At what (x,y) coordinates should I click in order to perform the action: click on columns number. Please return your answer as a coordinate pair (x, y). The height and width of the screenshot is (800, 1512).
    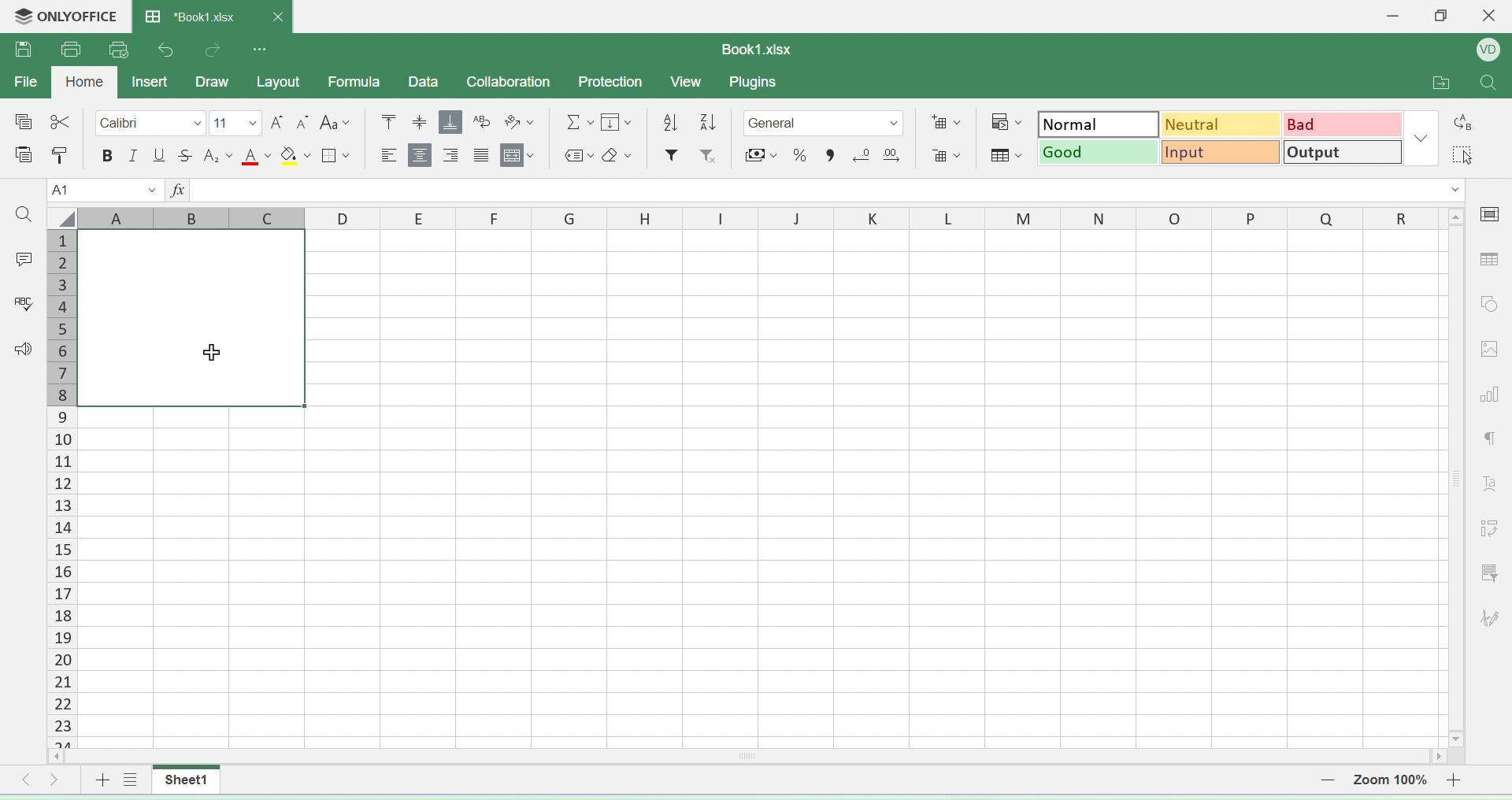
    Looking at the image, I should click on (60, 490).